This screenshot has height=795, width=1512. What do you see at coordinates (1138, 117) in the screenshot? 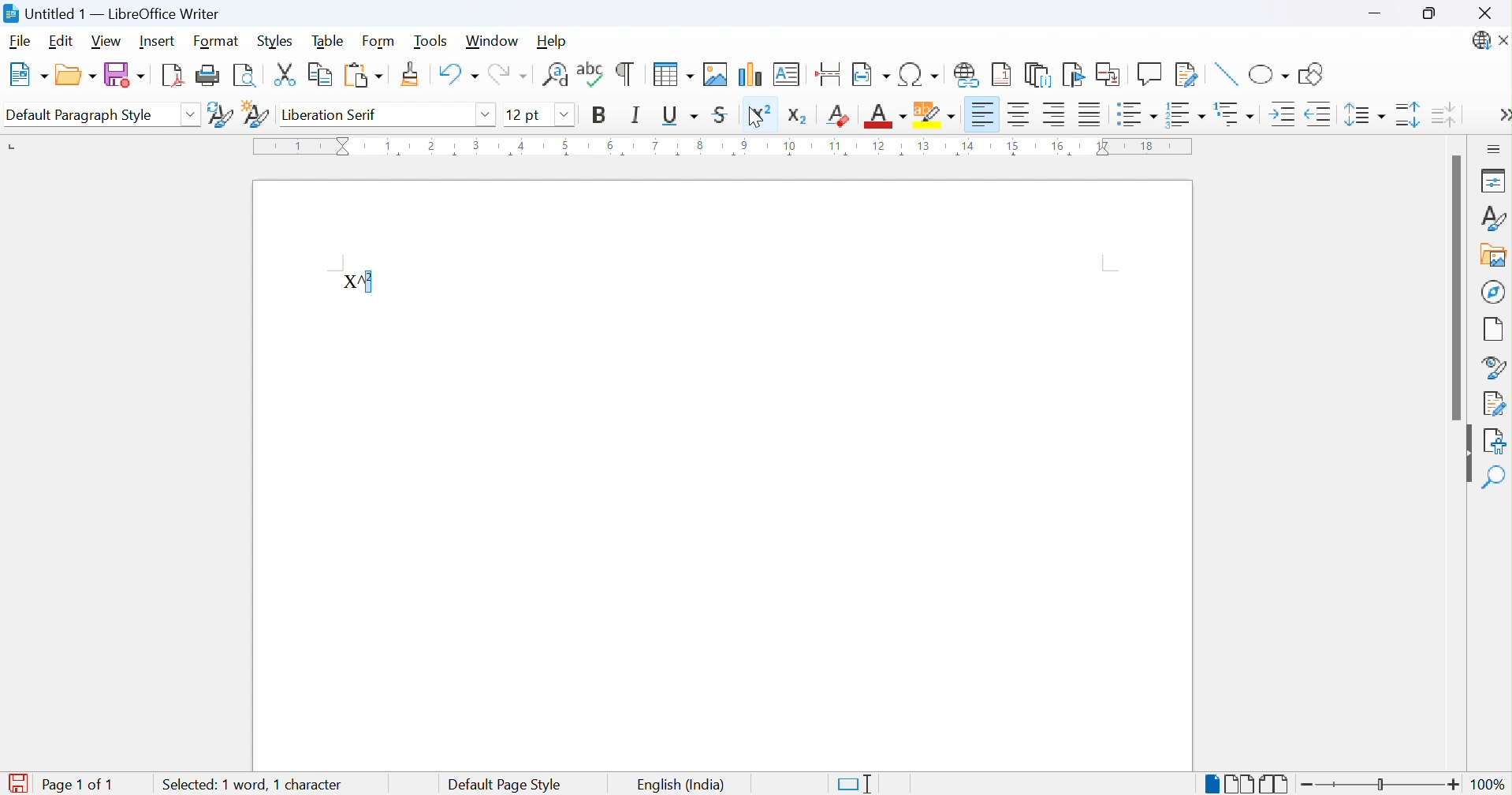
I see `Toggle unordered list` at bounding box center [1138, 117].